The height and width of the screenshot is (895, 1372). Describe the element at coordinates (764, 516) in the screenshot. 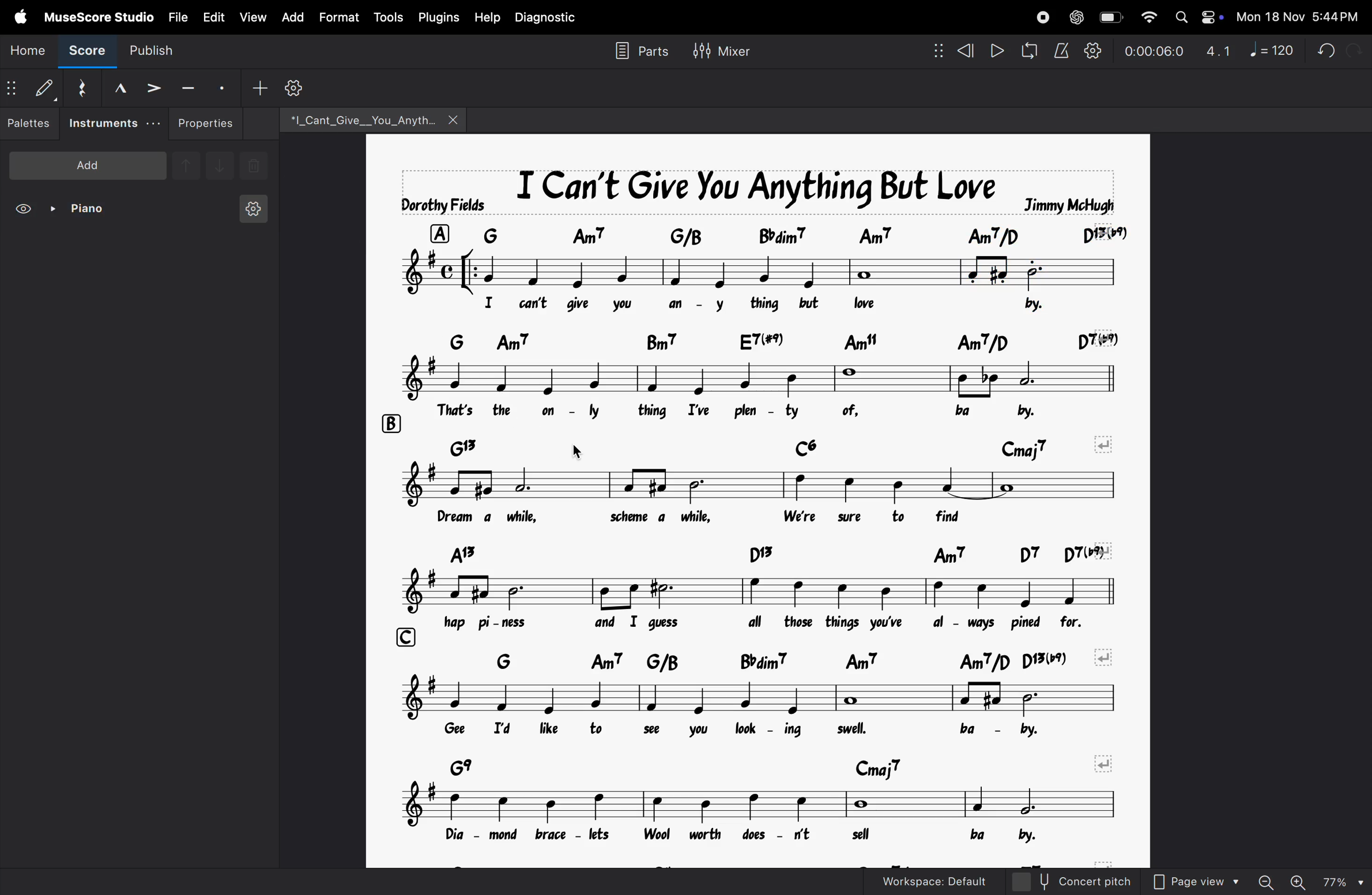

I see `notes` at that location.